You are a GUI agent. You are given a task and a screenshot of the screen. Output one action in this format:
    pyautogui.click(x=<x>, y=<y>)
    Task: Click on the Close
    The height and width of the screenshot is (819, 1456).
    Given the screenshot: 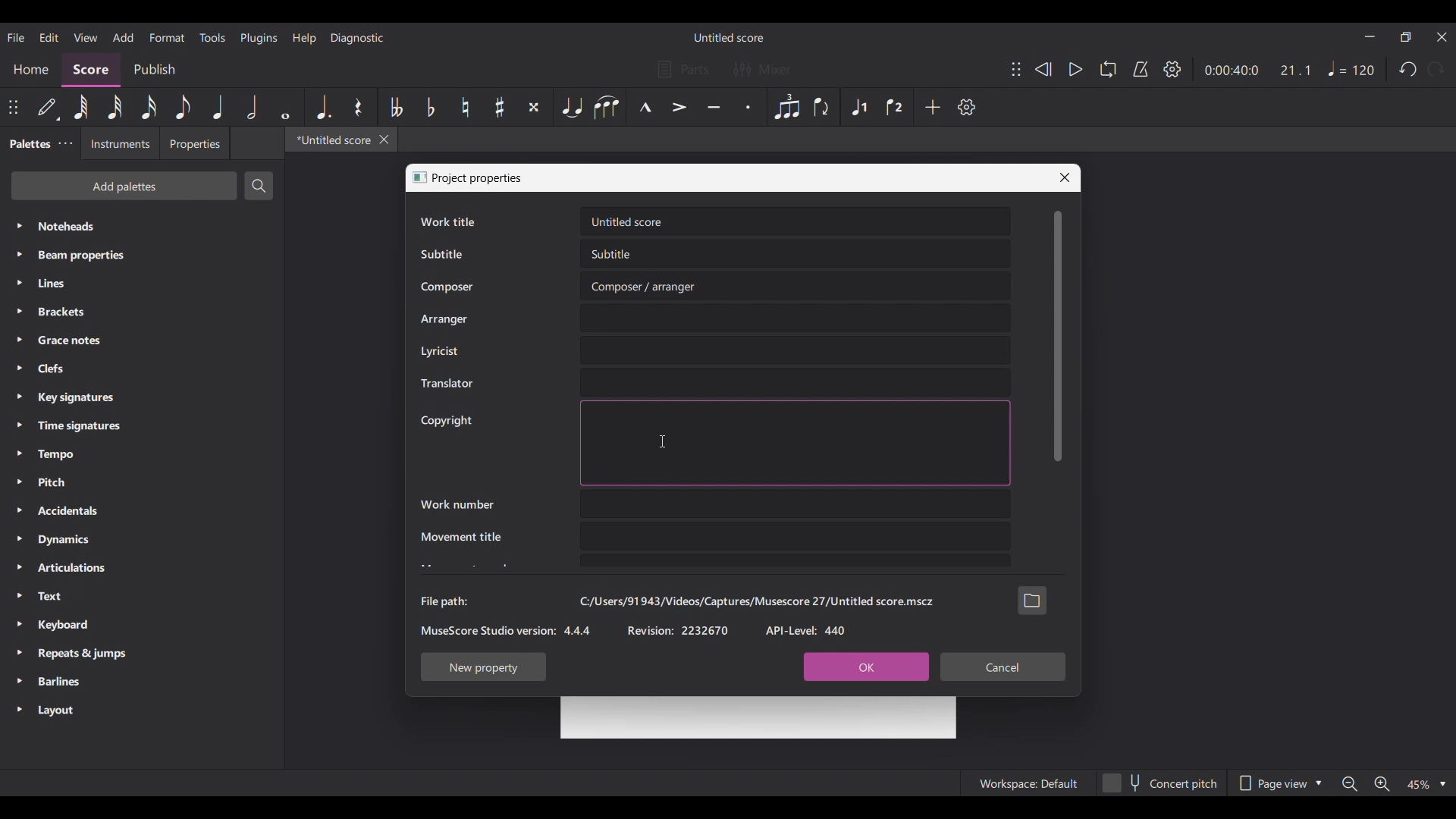 What is the action you would take?
    pyautogui.click(x=1065, y=177)
    